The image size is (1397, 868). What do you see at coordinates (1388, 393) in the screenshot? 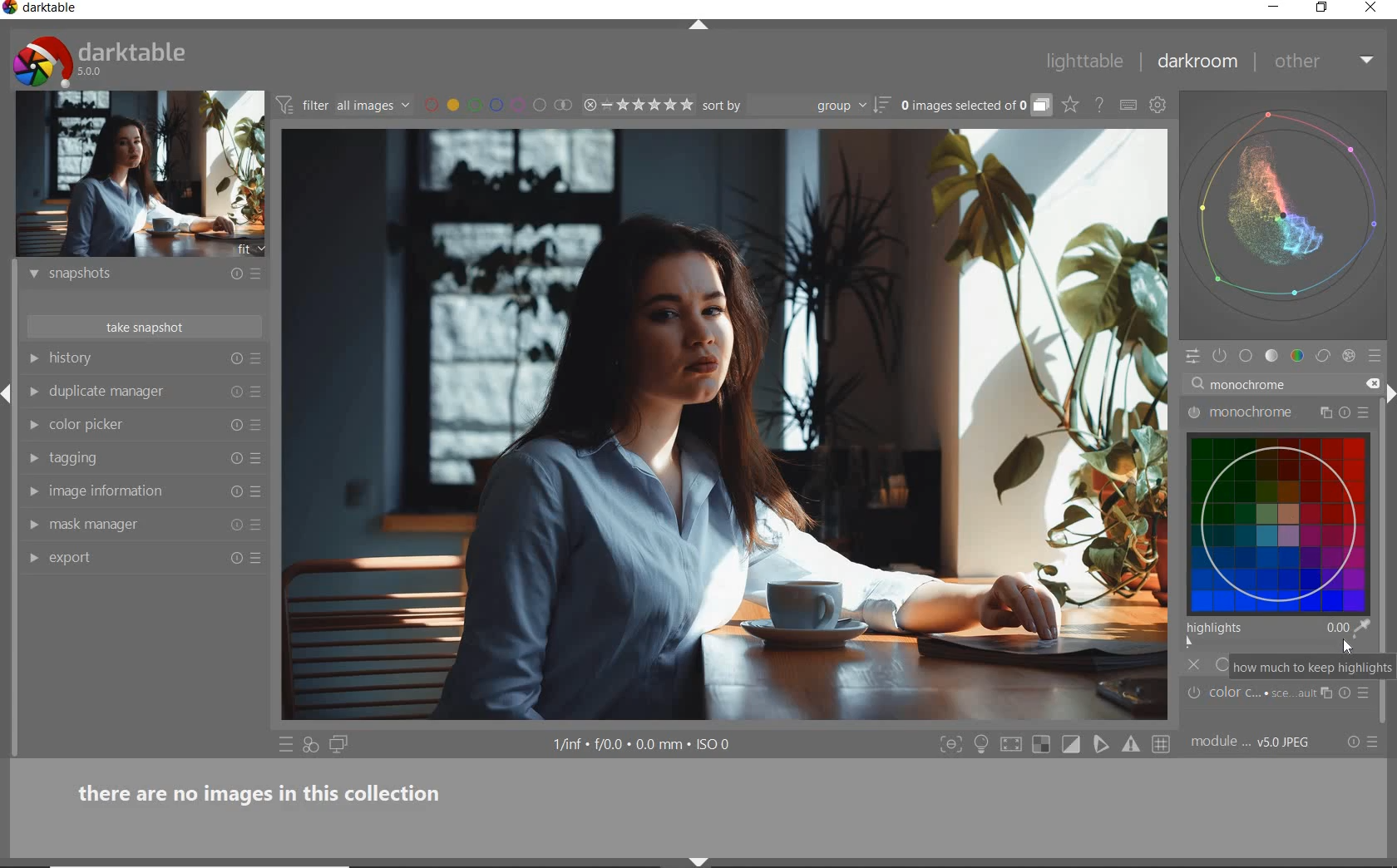
I see `shift+ctrl+r` at bounding box center [1388, 393].